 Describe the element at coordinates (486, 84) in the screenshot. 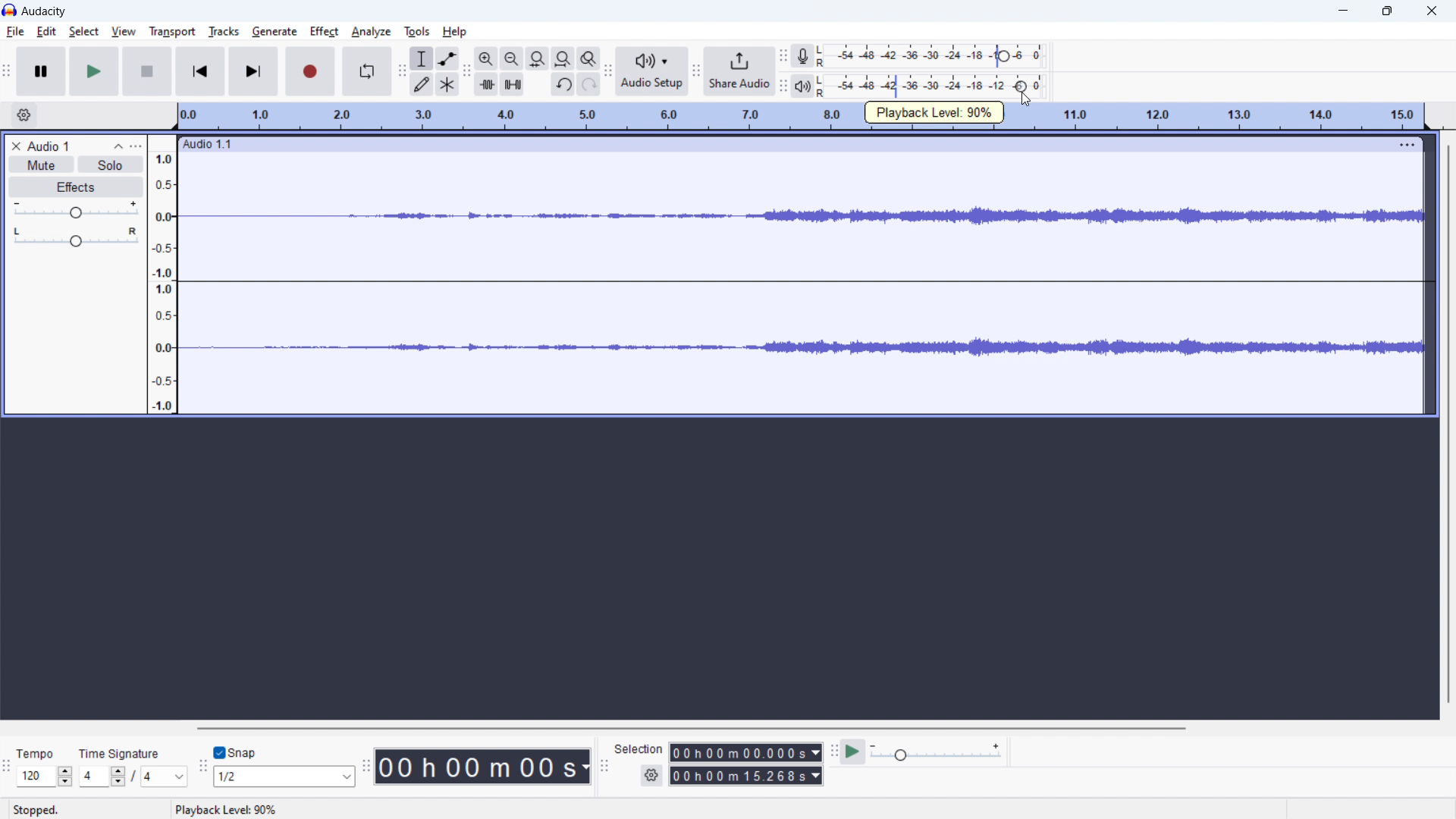

I see `trim audio outside selection` at that location.